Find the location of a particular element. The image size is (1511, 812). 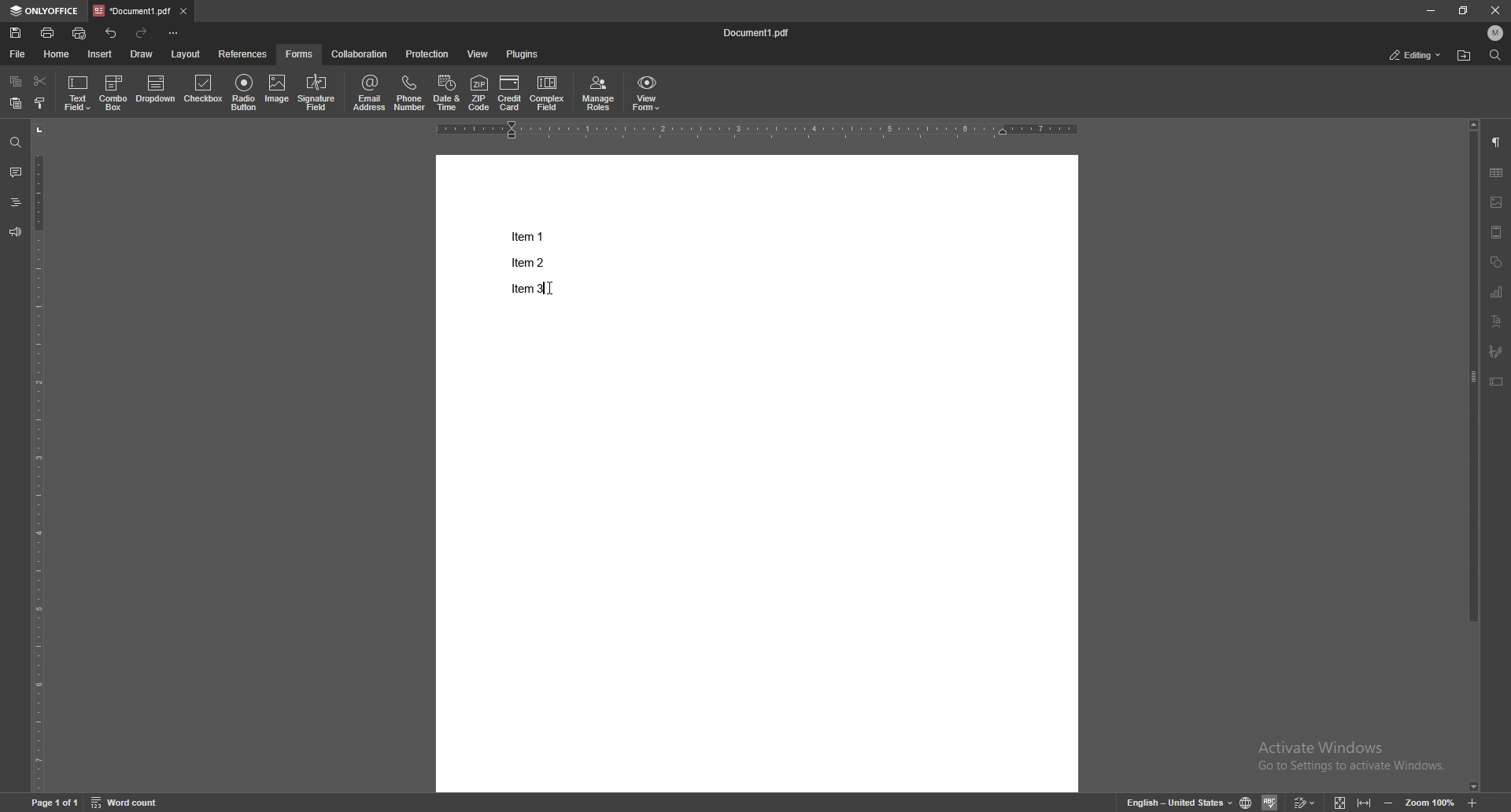

resize is located at coordinates (1463, 10).